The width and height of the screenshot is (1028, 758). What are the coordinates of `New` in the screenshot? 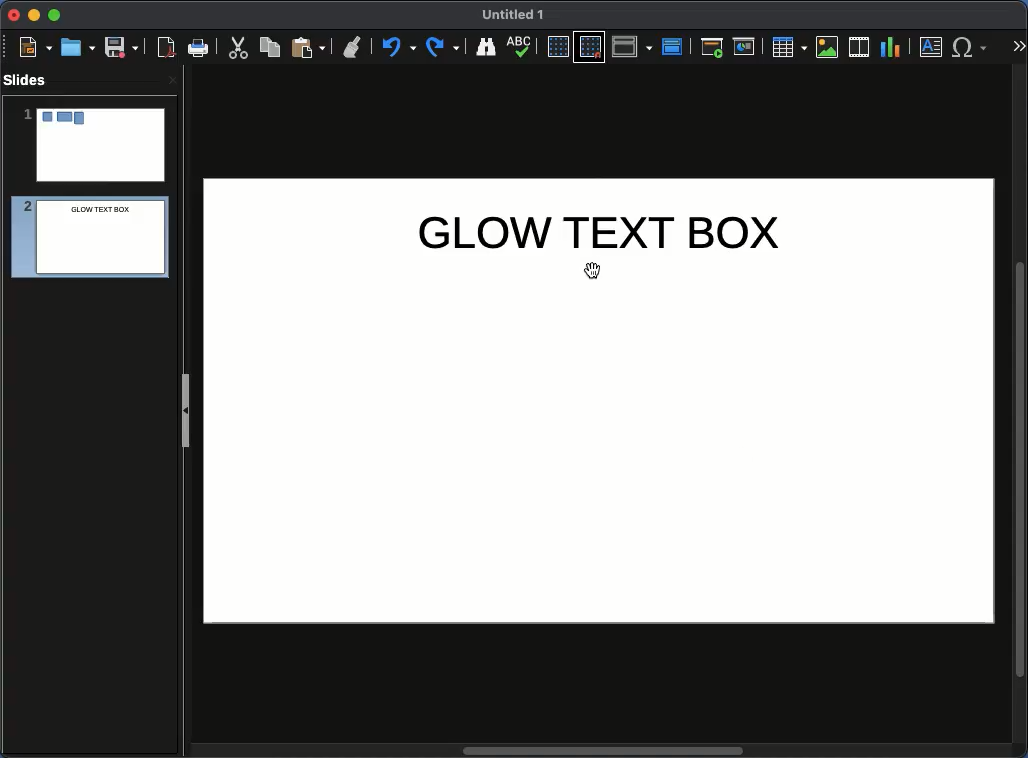 It's located at (35, 46).